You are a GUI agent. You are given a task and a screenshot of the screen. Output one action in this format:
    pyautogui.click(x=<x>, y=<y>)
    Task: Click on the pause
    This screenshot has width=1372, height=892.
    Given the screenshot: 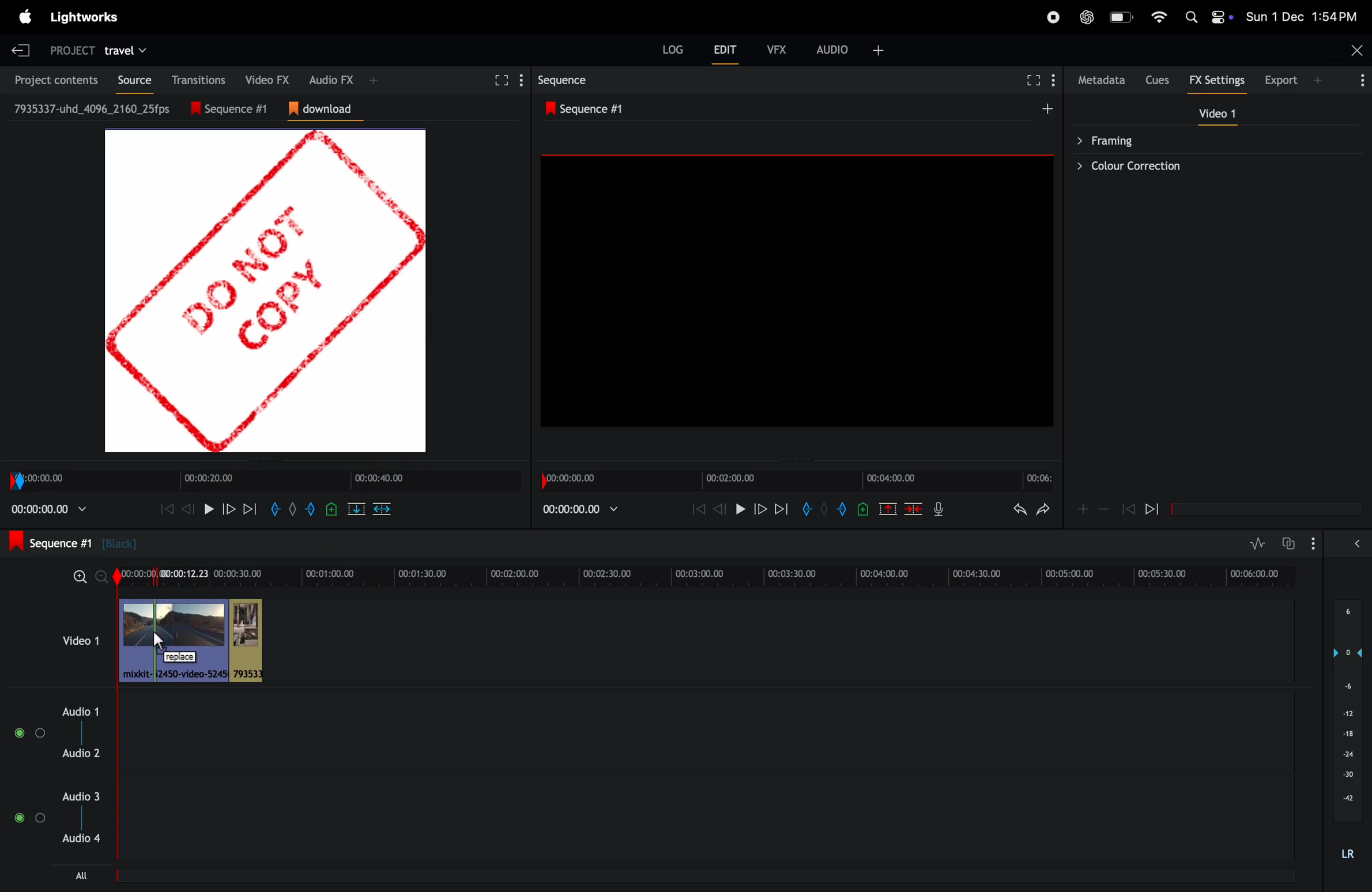 What is the action you would take?
    pyautogui.click(x=209, y=509)
    